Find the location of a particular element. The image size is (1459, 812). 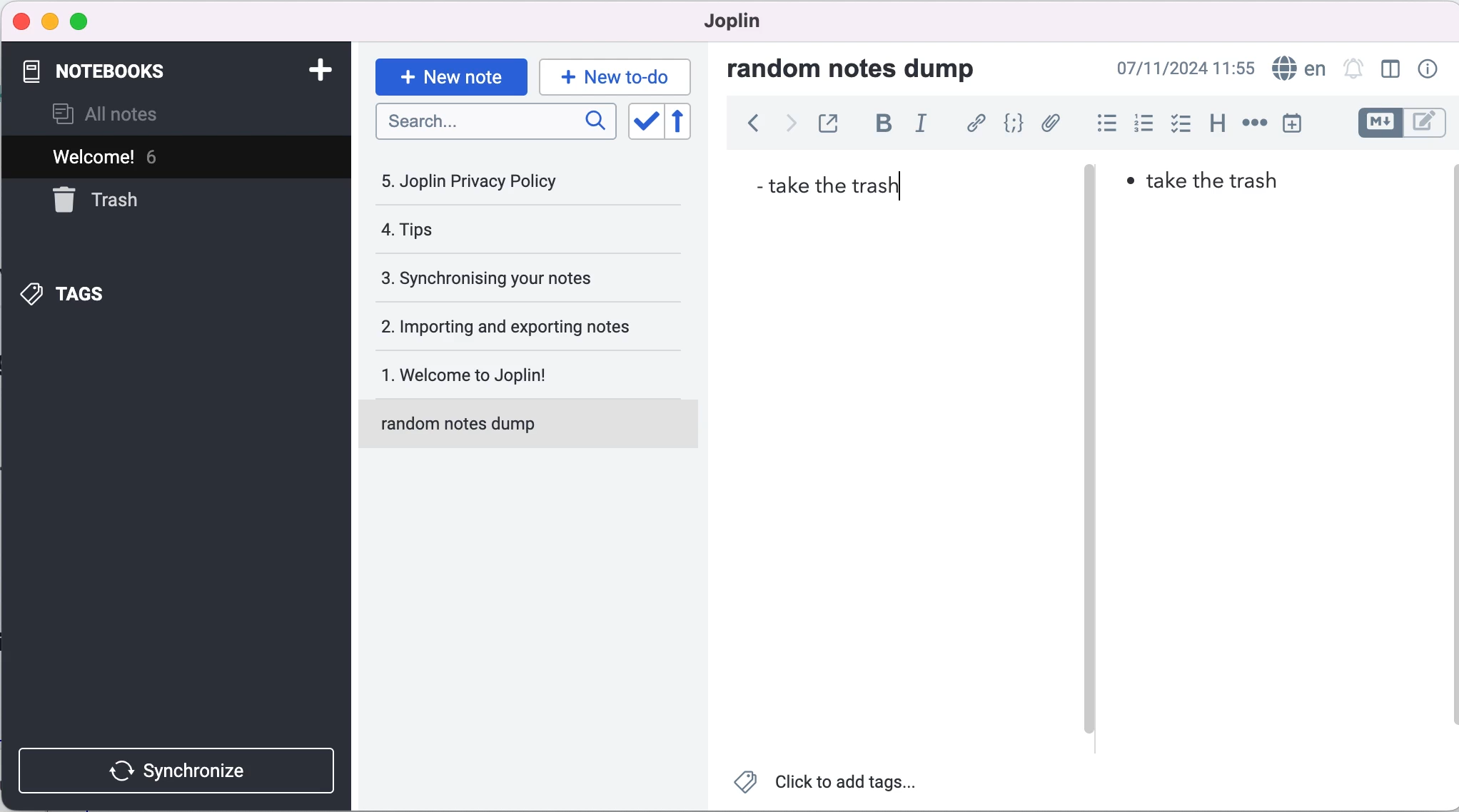

add notebook is located at coordinates (313, 73).